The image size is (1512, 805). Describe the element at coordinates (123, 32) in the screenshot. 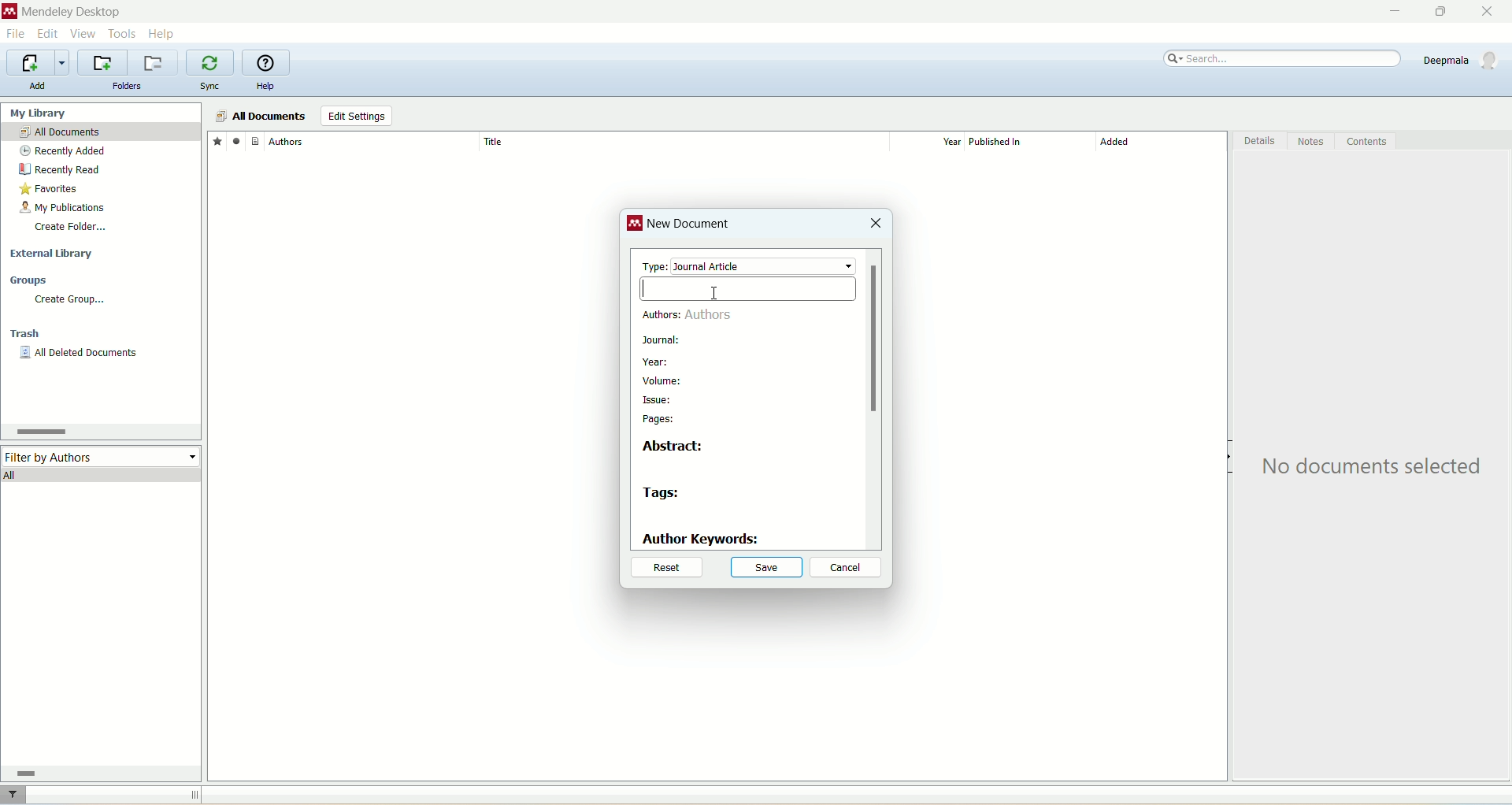

I see `tools` at that location.